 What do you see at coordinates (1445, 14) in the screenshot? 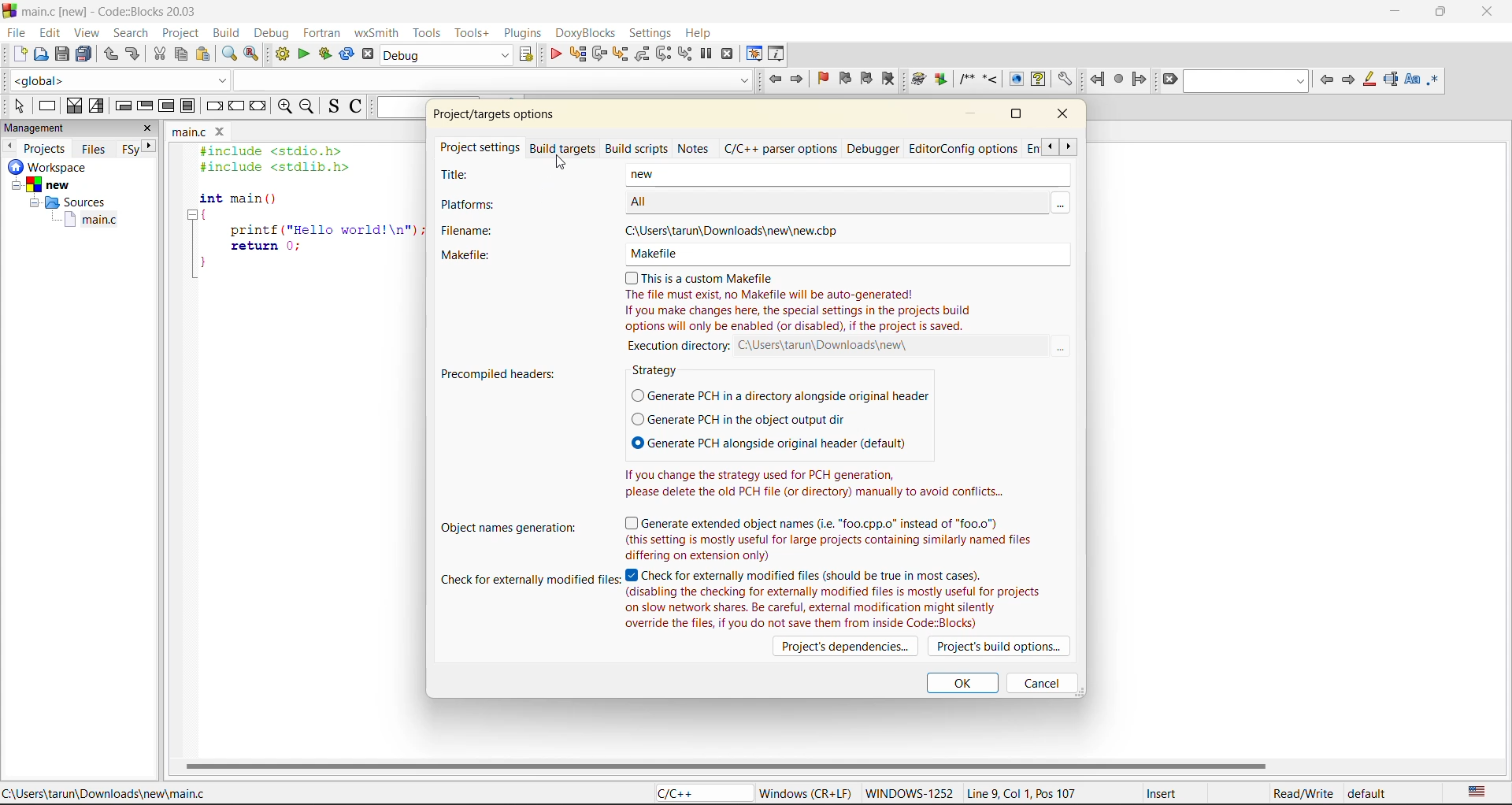
I see `maximize` at bounding box center [1445, 14].